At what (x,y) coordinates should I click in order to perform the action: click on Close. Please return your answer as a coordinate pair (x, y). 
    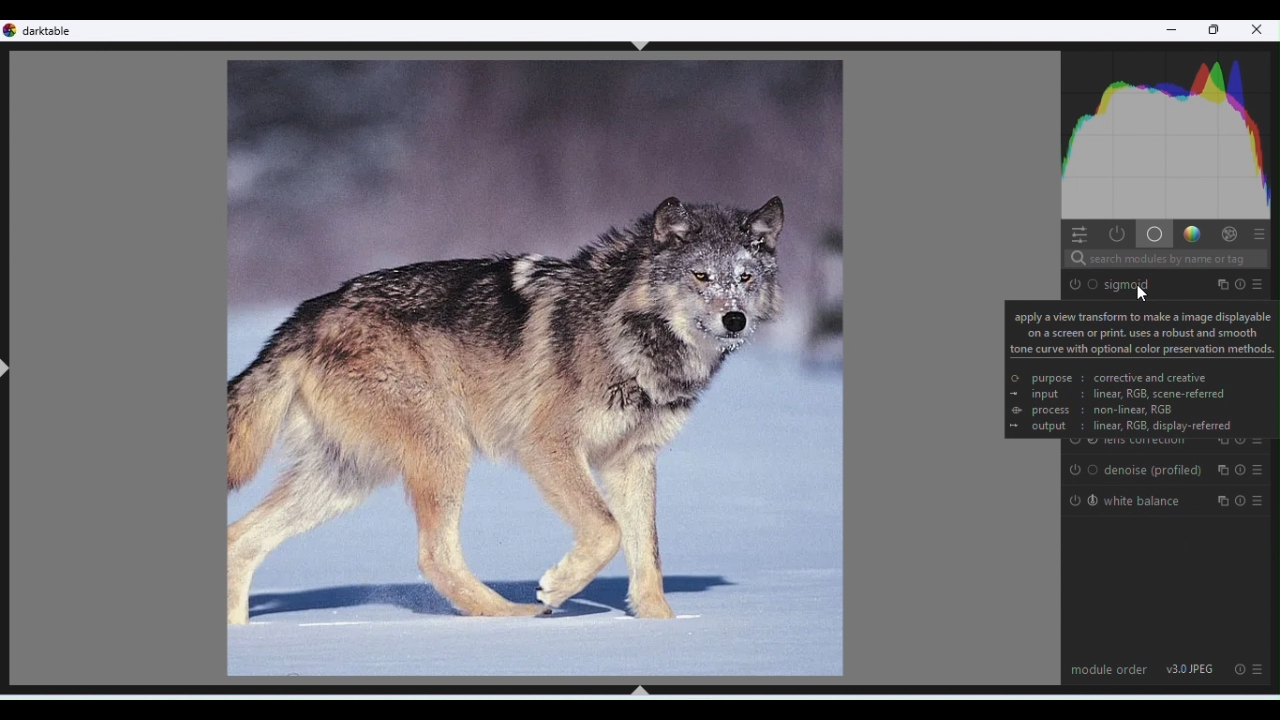
    Looking at the image, I should click on (1258, 32).